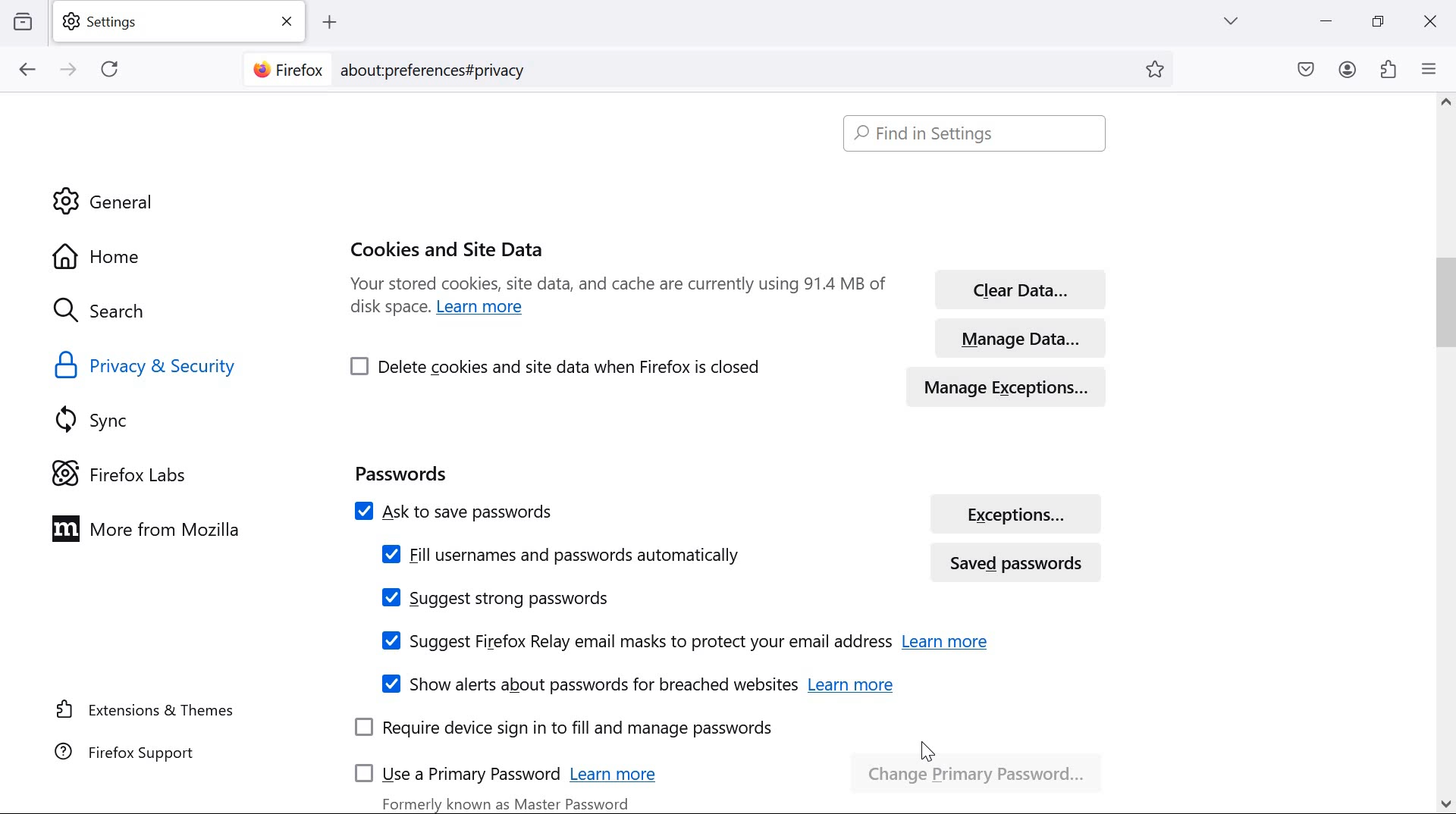 The height and width of the screenshot is (814, 1456). What do you see at coordinates (559, 554) in the screenshot?
I see `Fill usernames and passwords automatically` at bounding box center [559, 554].